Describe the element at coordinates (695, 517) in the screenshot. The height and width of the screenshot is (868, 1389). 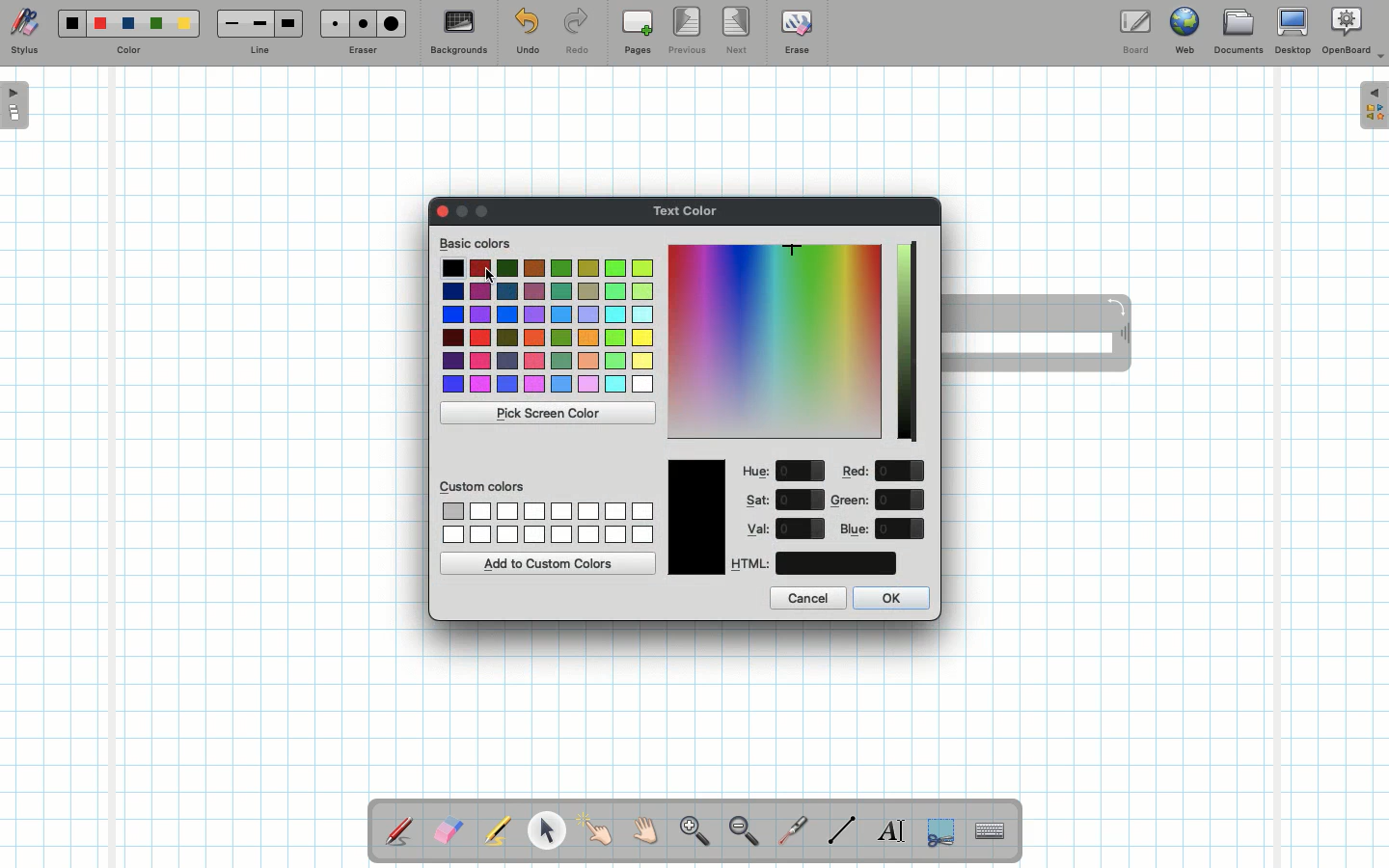
I see `Color picked` at that location.